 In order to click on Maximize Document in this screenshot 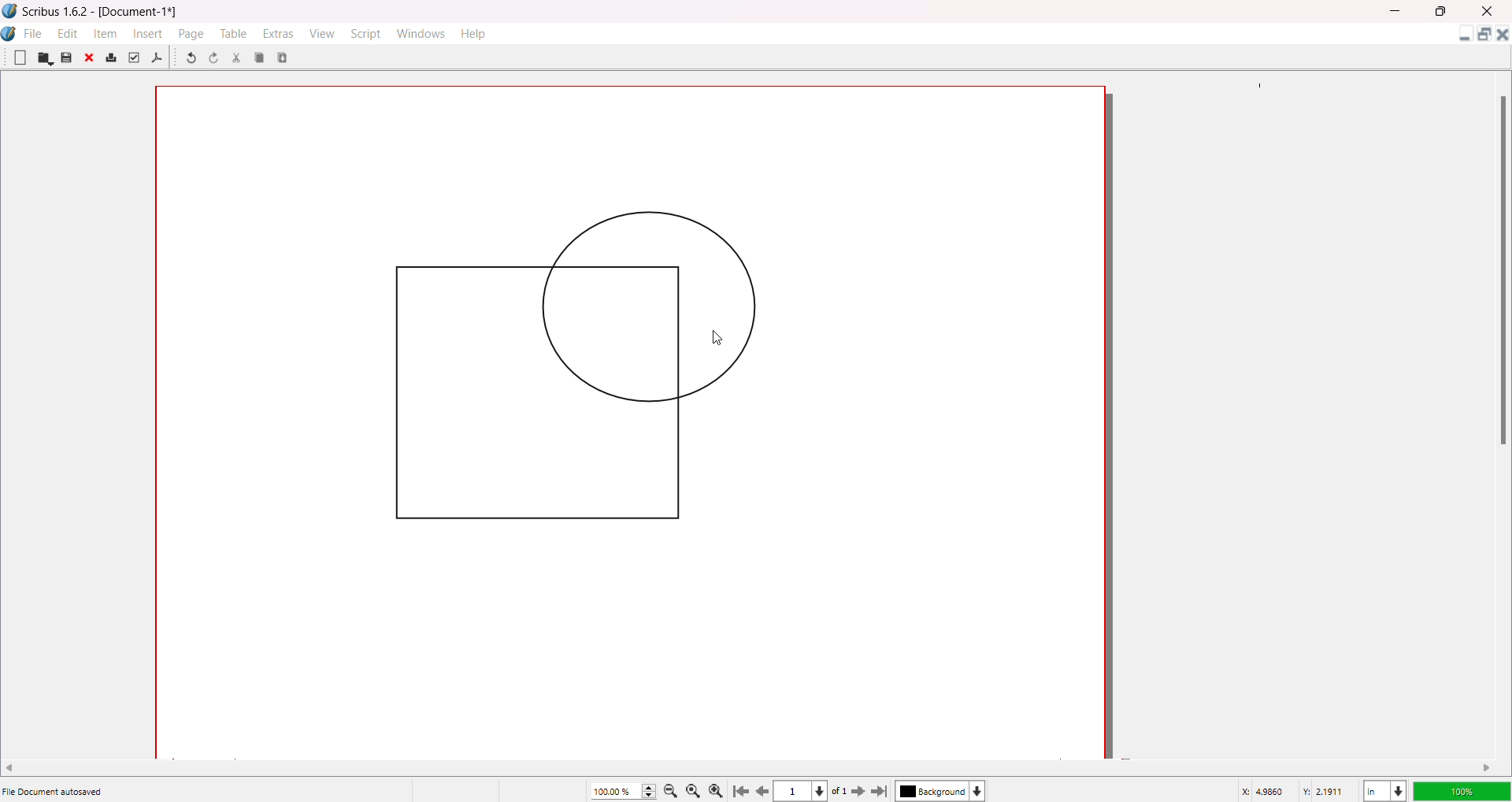, I will do `click(1483, 37)`.